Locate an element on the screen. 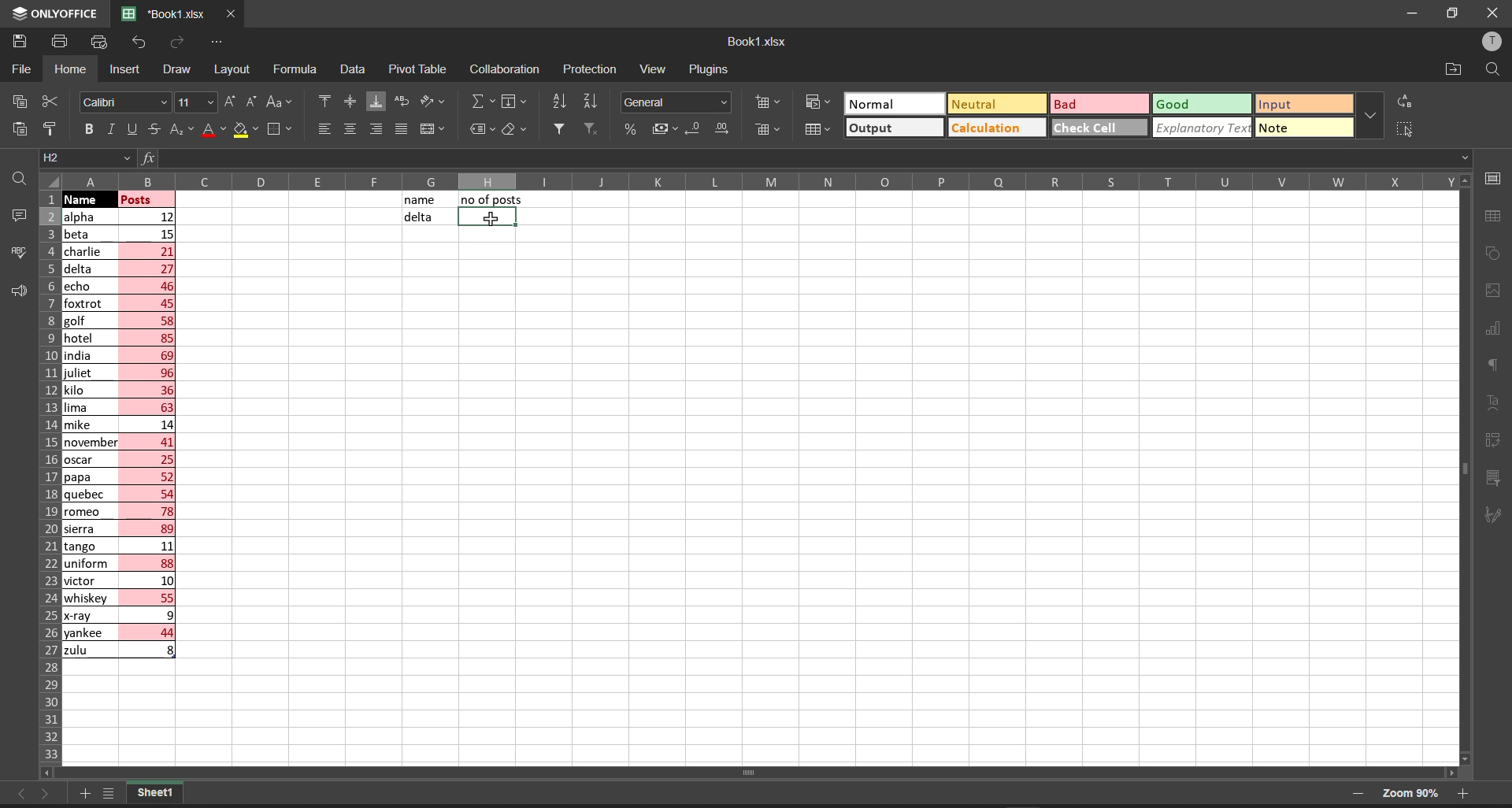 The width and height of the screenshot is (1512, 808). open file location is located at coordinates (1455, 68).